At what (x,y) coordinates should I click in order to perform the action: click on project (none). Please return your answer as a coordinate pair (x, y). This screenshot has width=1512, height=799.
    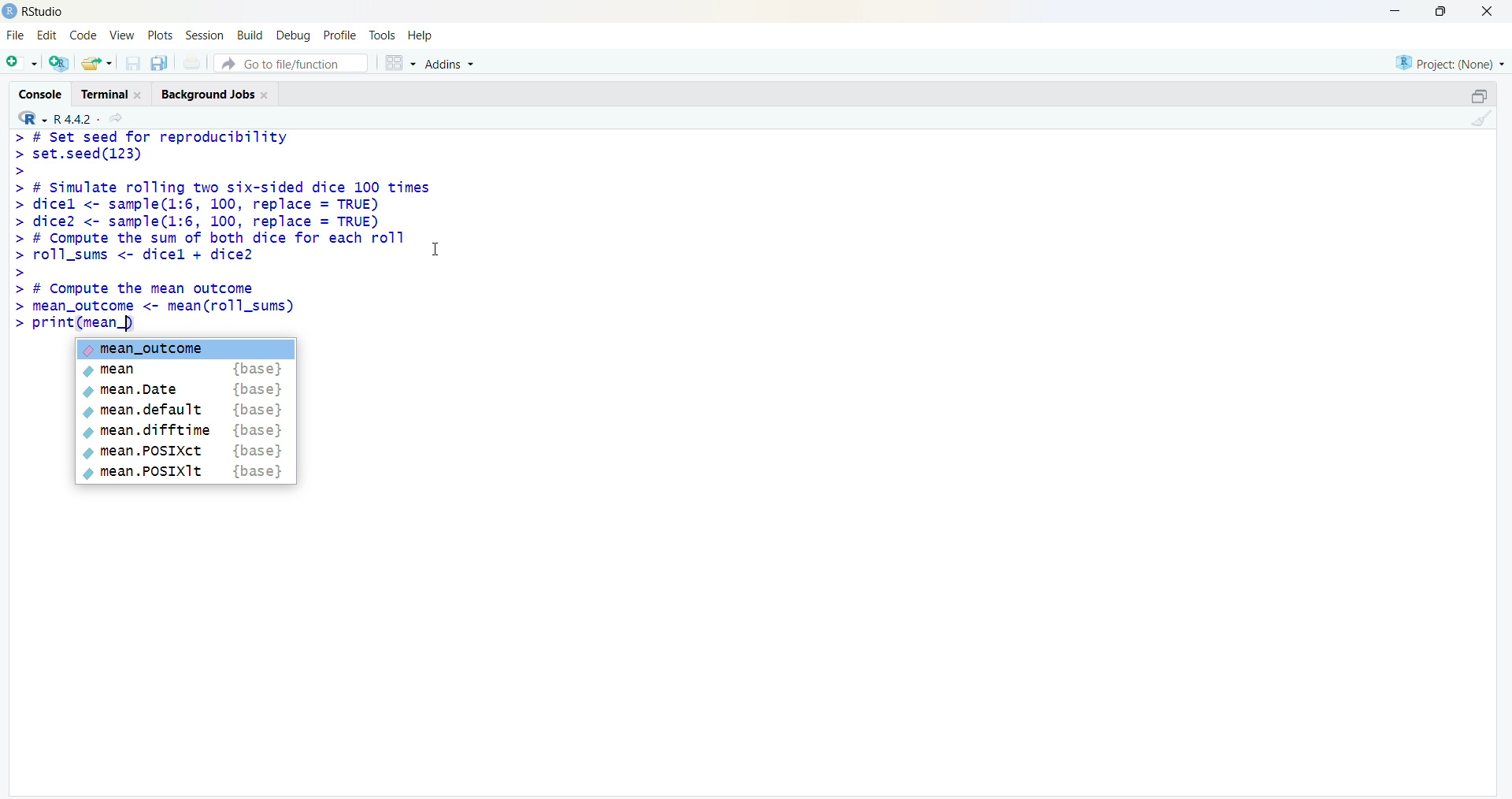
    Looking at the image, I should click on (1450, 65).